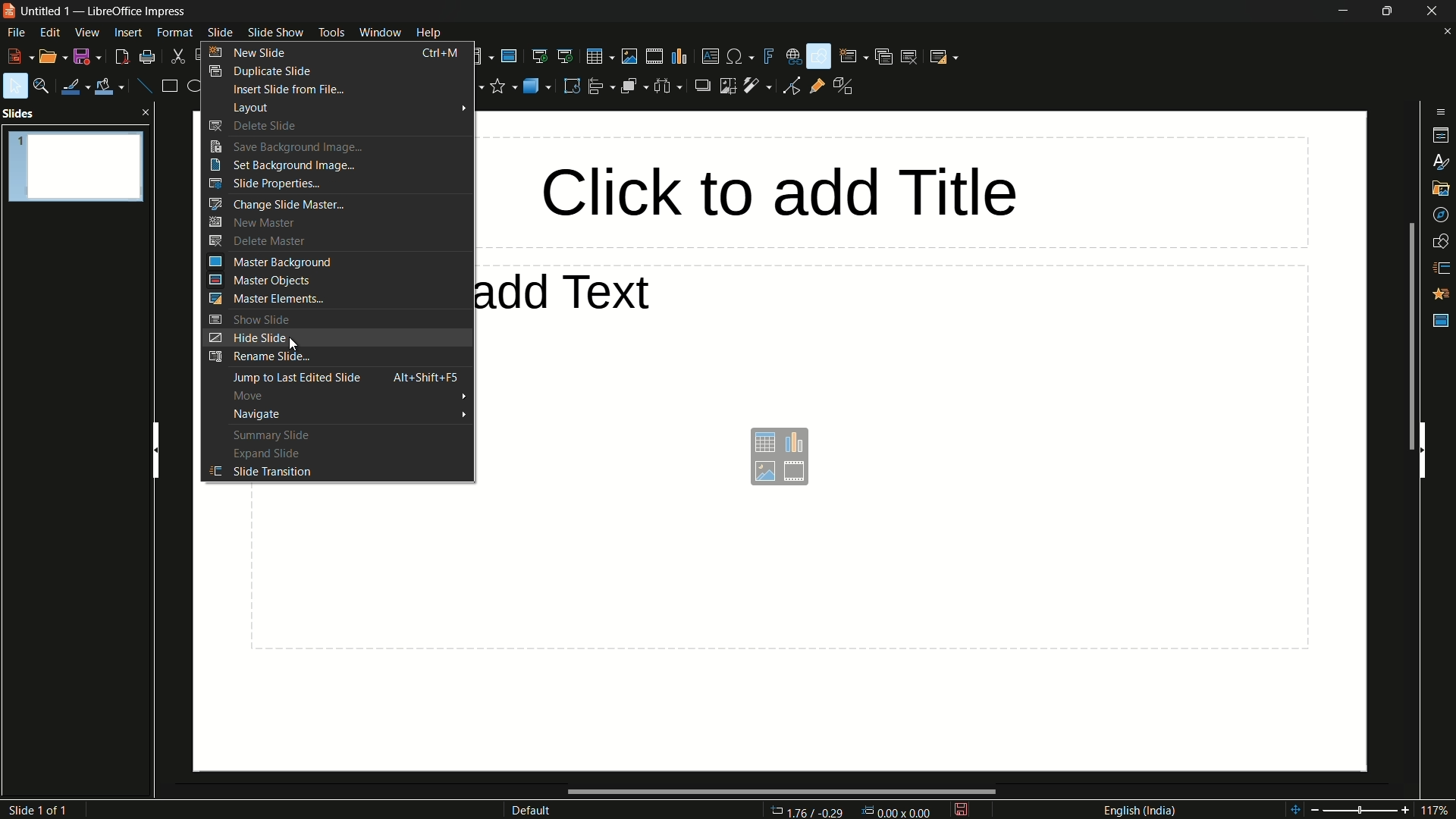 The image size is (1456, 819). Describe the element at coordinates (768, 55) in the screenshot. I see `insert fontwork text` at that location.